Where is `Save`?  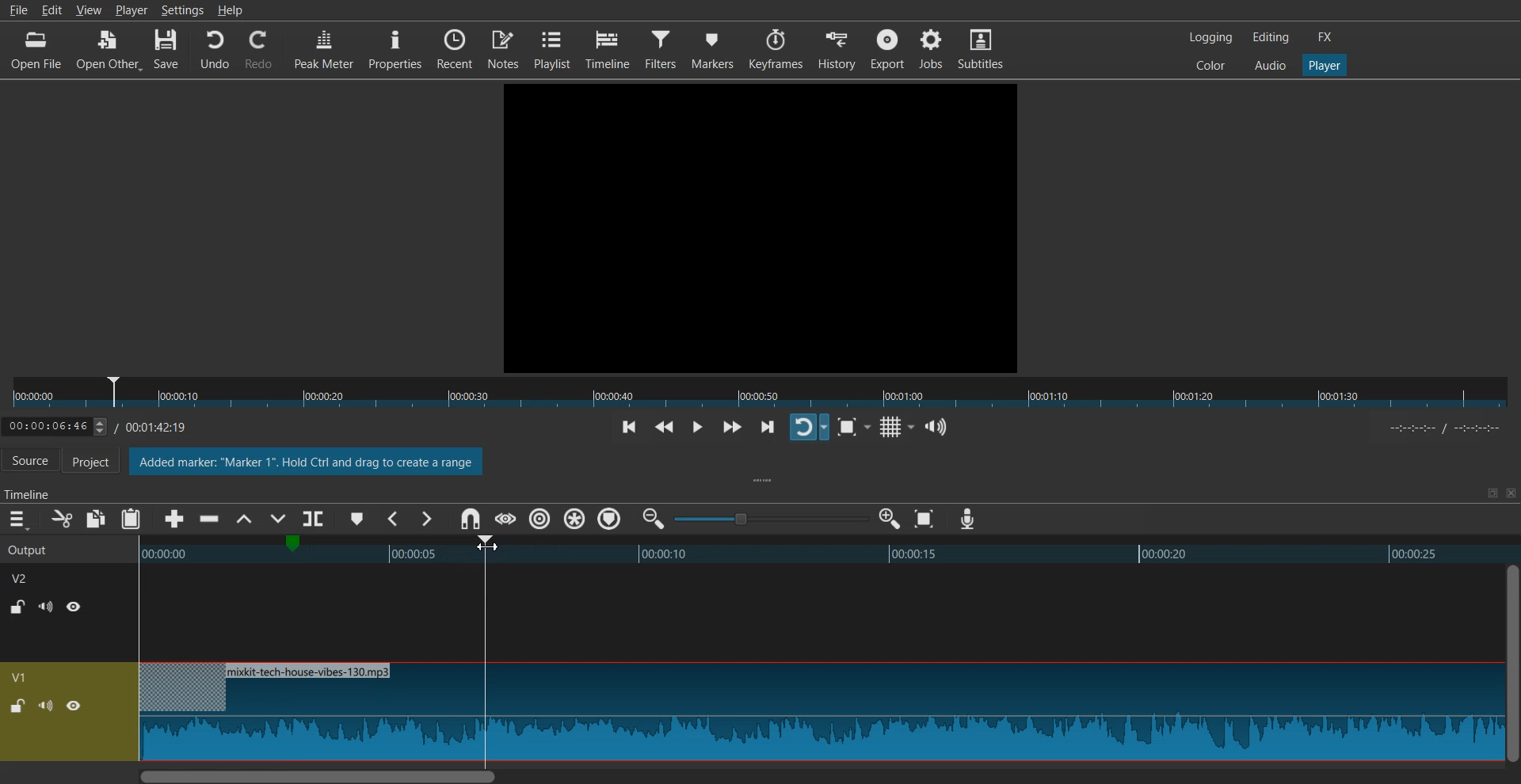 Save is located at coordinates (167, 50).